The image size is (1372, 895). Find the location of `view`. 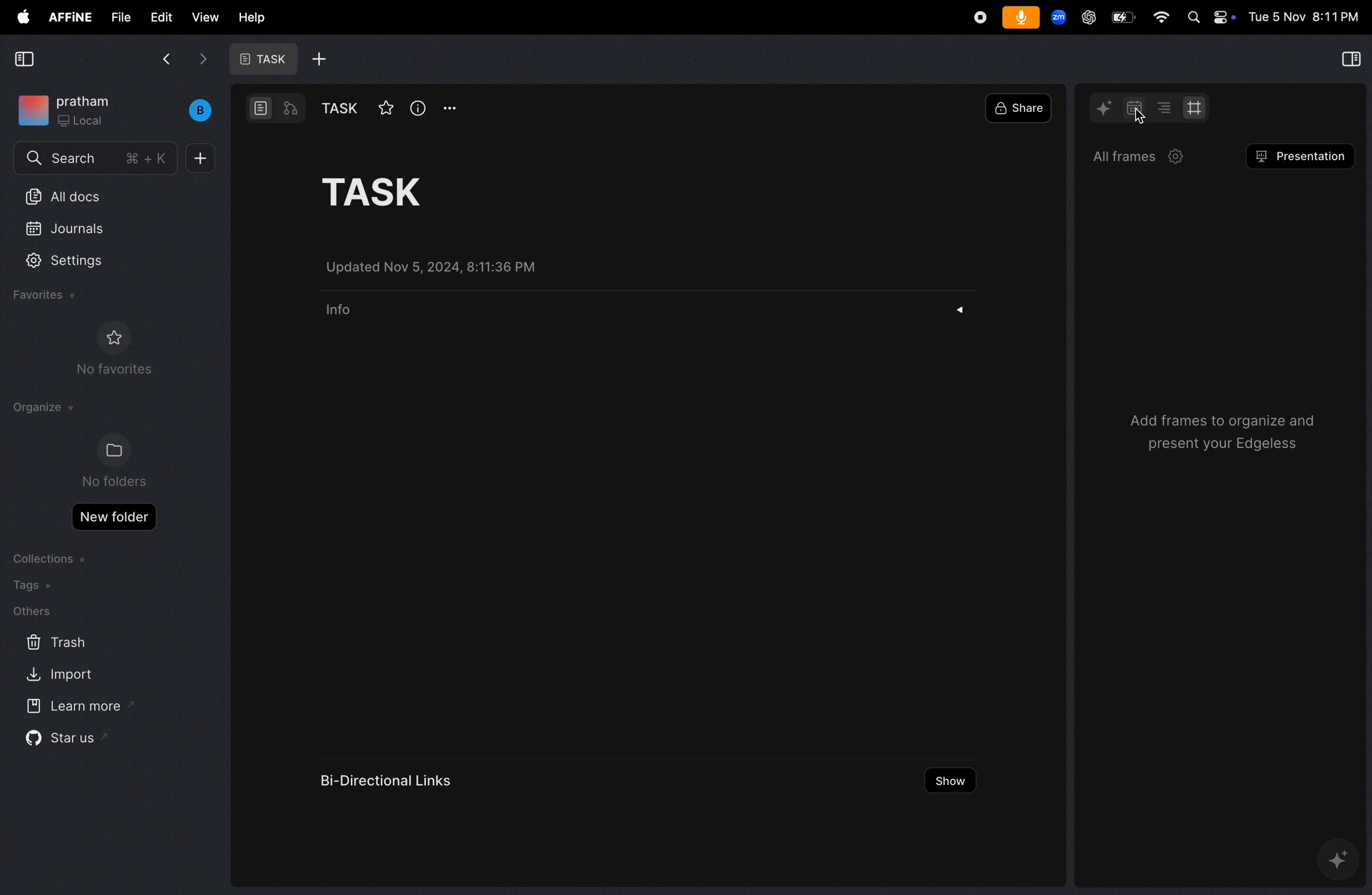

view is located at coordinates (202, 17).